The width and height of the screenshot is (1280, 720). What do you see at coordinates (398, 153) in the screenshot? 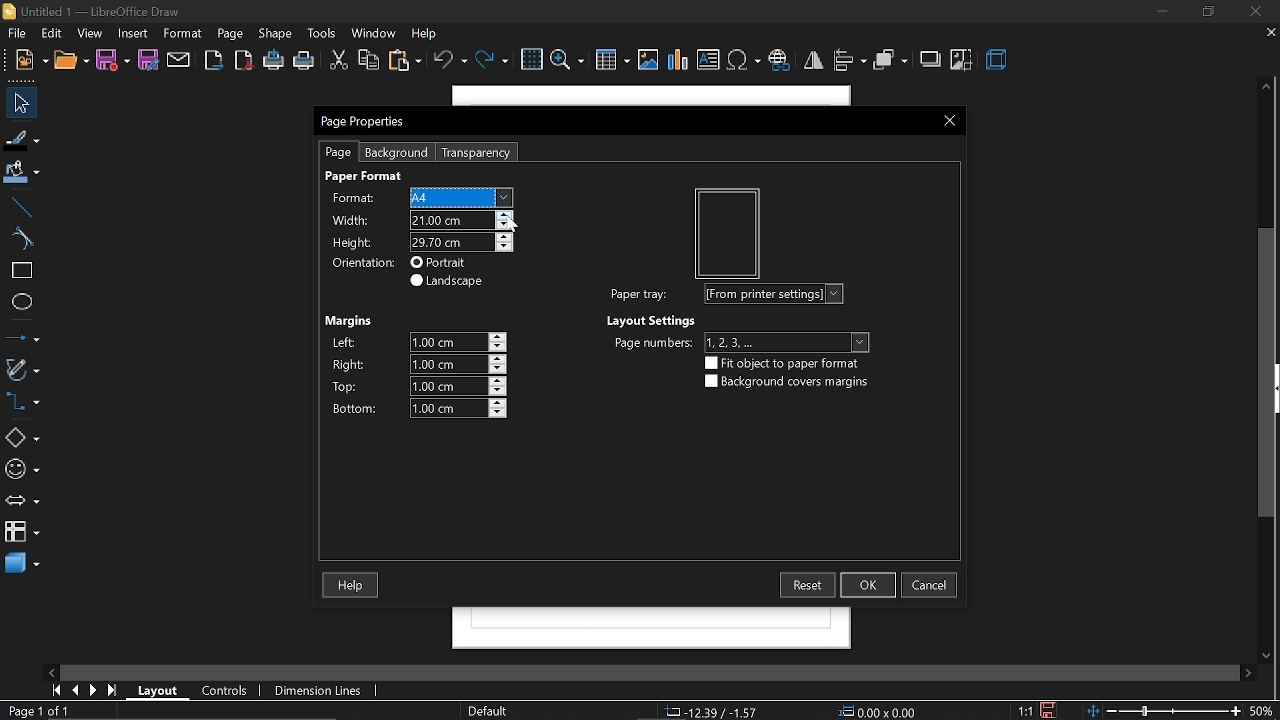
I see `background` at bounding box center [398, 153].